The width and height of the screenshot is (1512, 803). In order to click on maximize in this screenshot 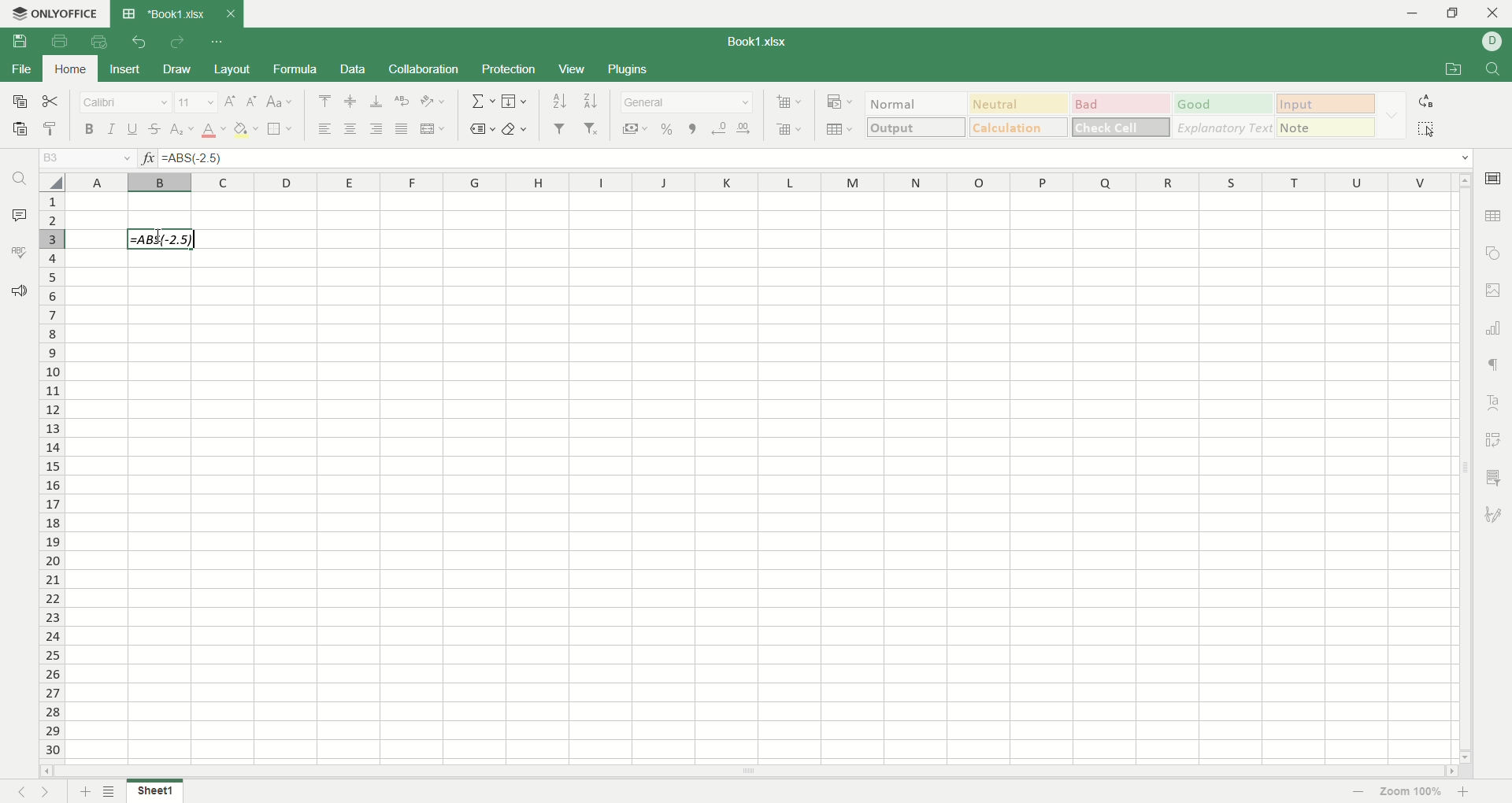, I will do `click(1457, 16)`.